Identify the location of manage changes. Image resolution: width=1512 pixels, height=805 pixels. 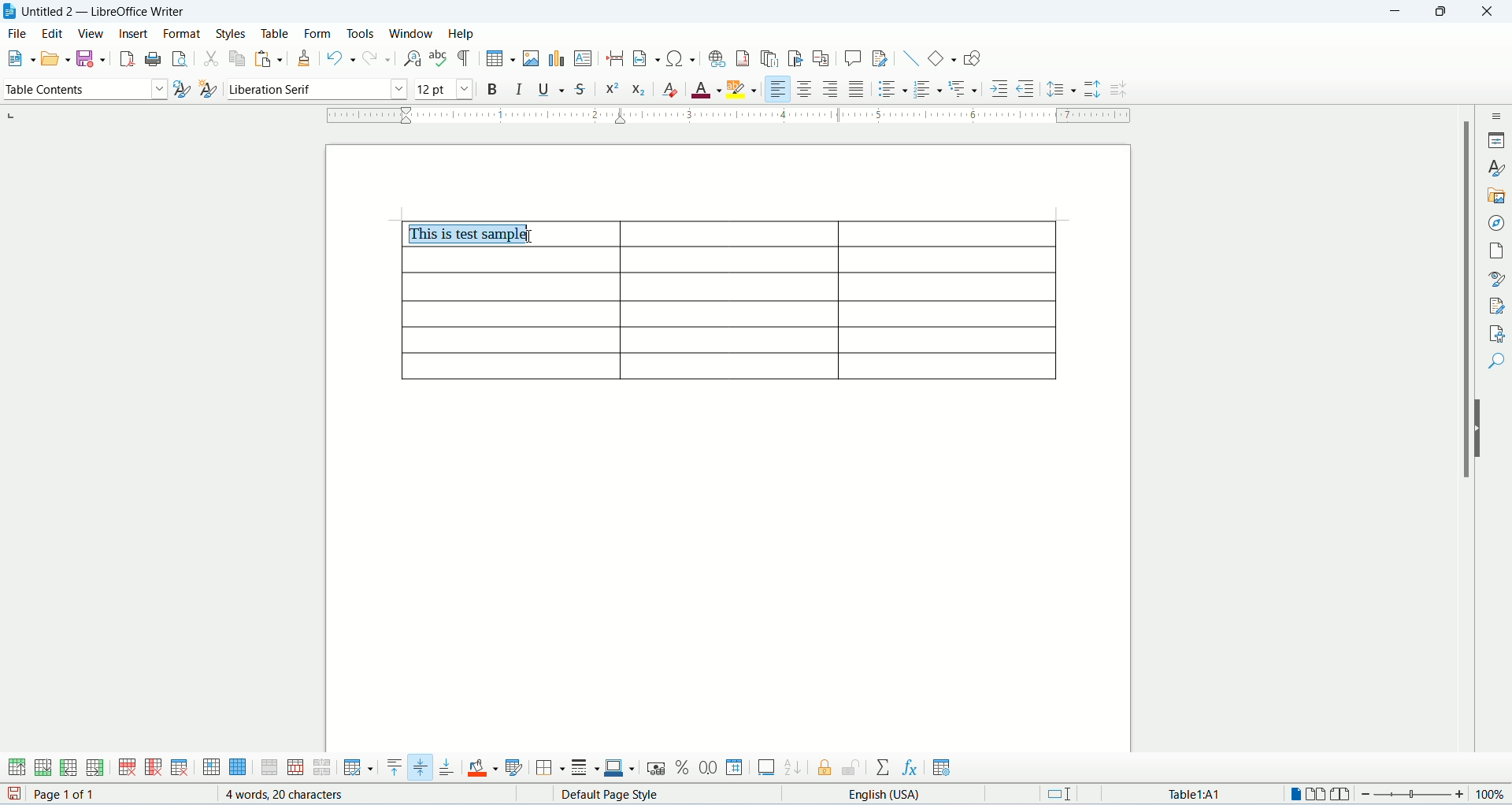
(1498, 306).